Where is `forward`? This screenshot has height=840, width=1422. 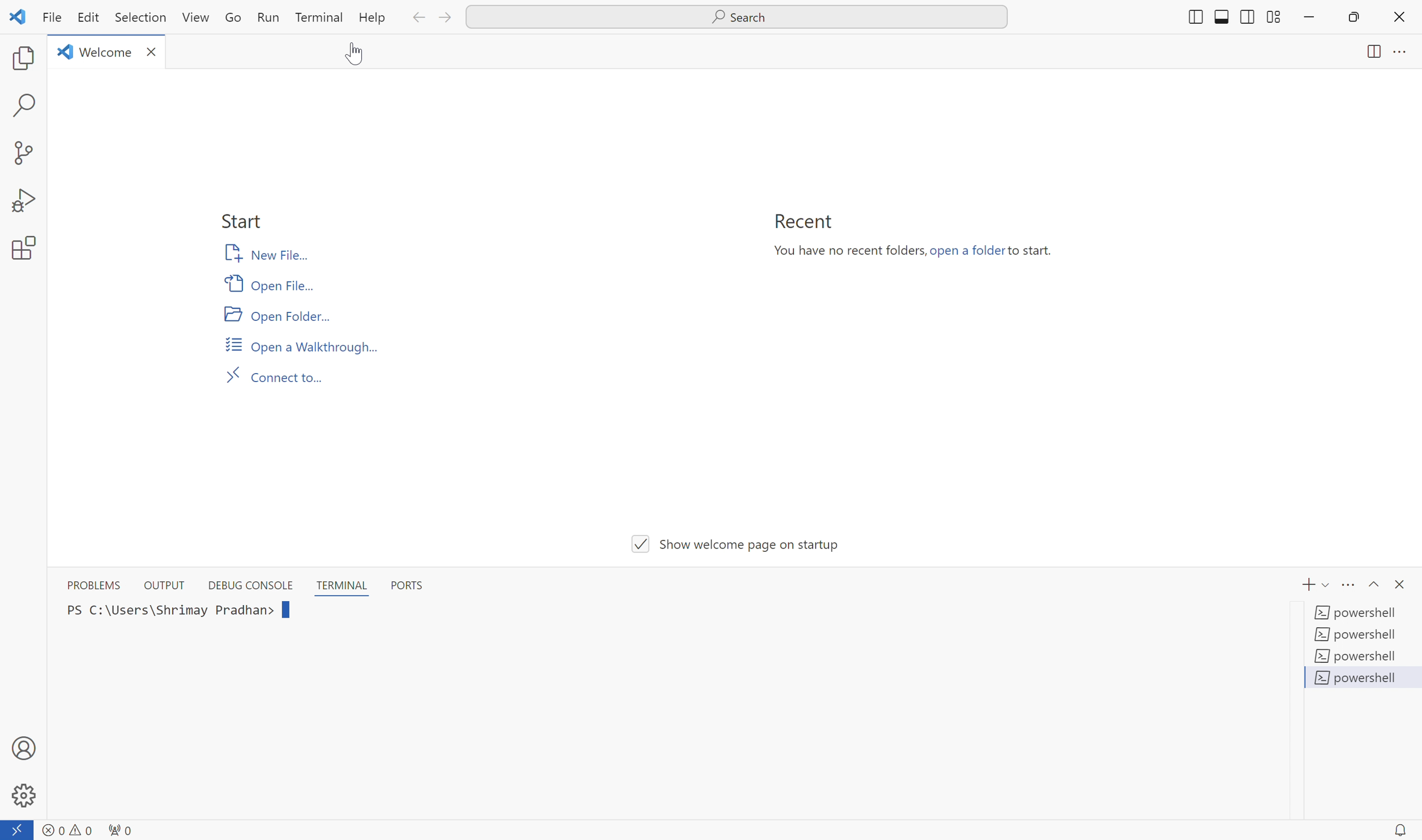
forward is located at coordinates (447, 18).